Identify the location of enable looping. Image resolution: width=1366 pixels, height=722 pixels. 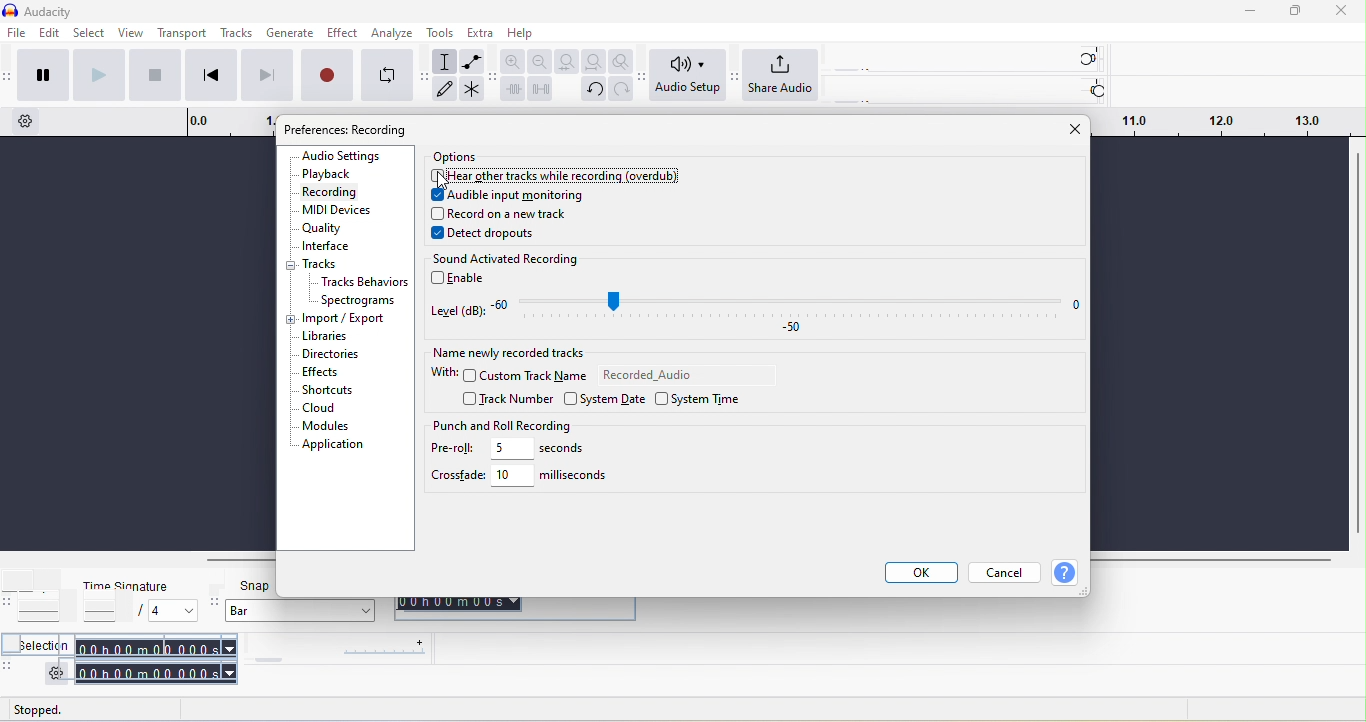
(388, 76).